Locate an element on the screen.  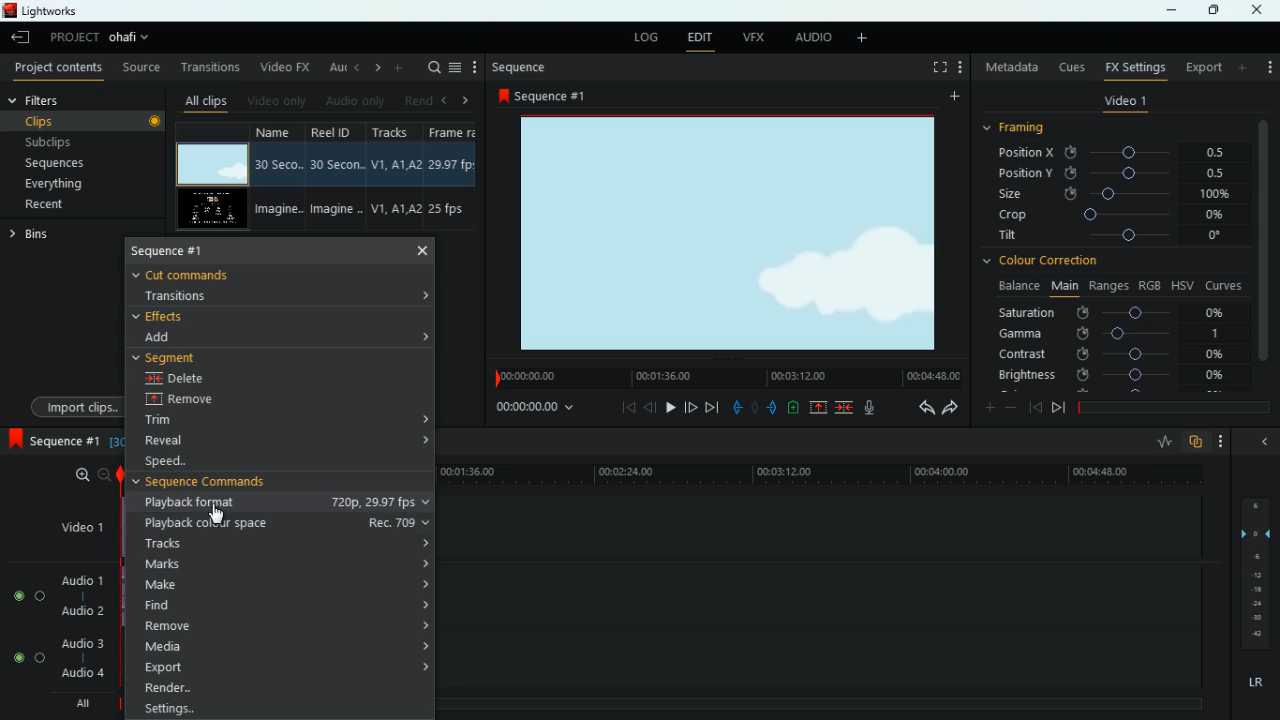
project is located at coordinates (102, 37).